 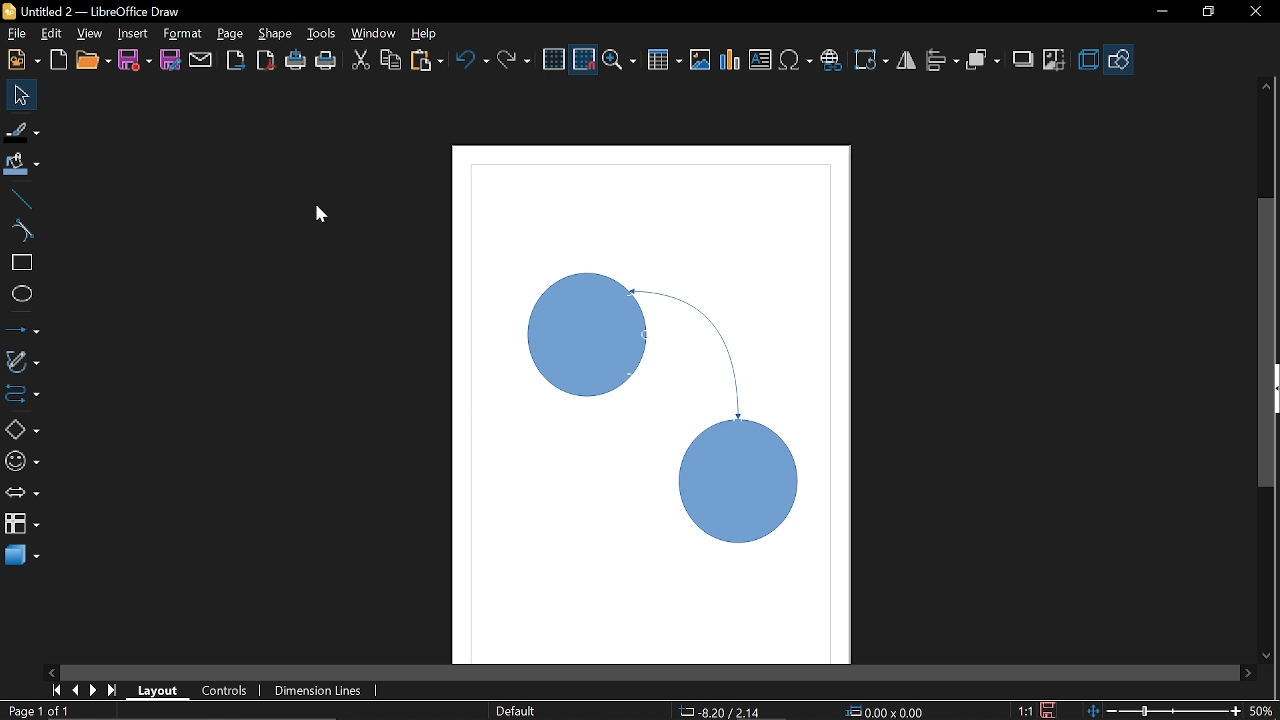 What do you see at coordinates (21, 557) in the screenshot?
I see `3d shapes` at bounding box center [21, 557].